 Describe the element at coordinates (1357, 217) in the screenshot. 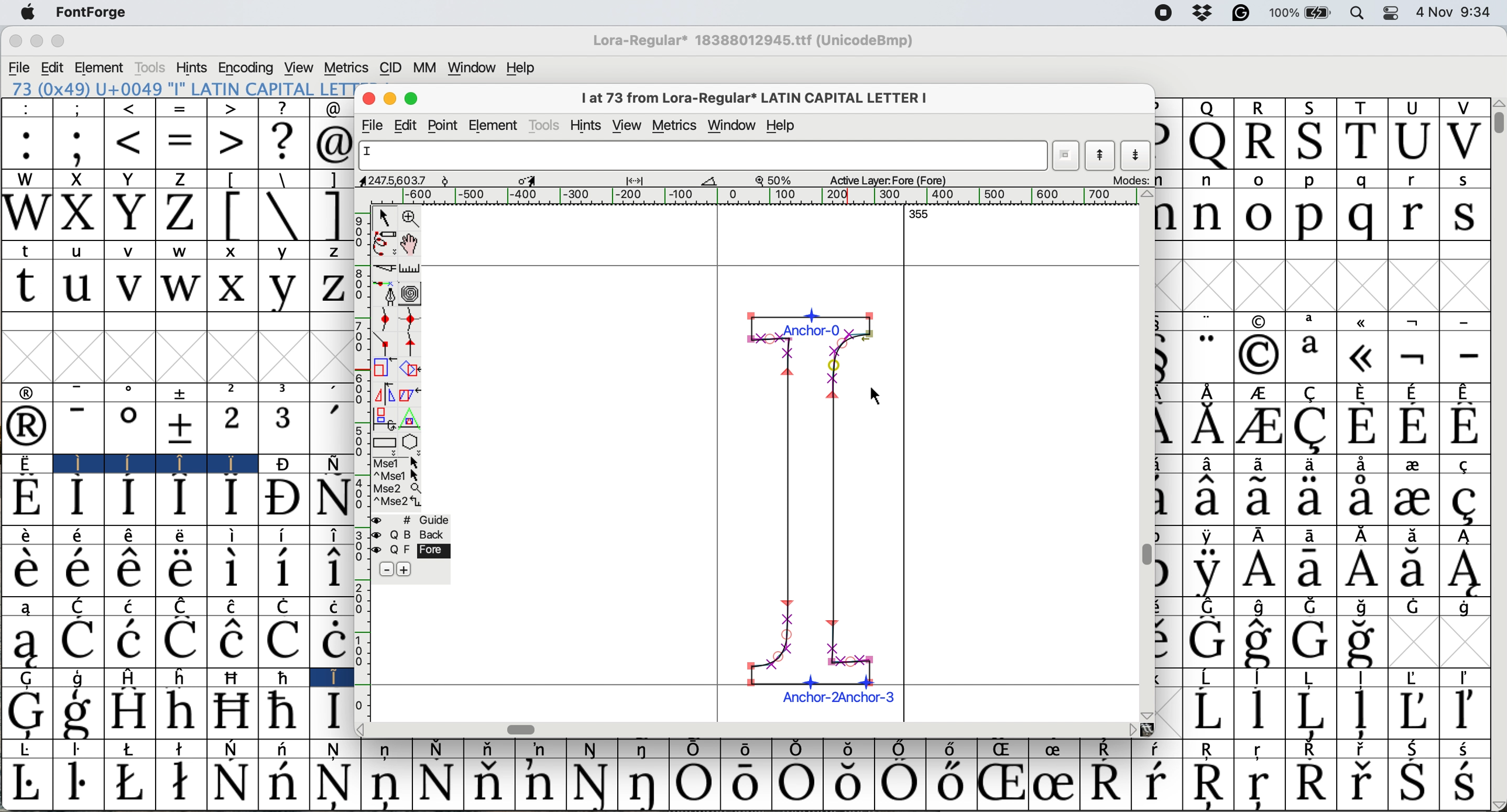

I see `q` at that location.